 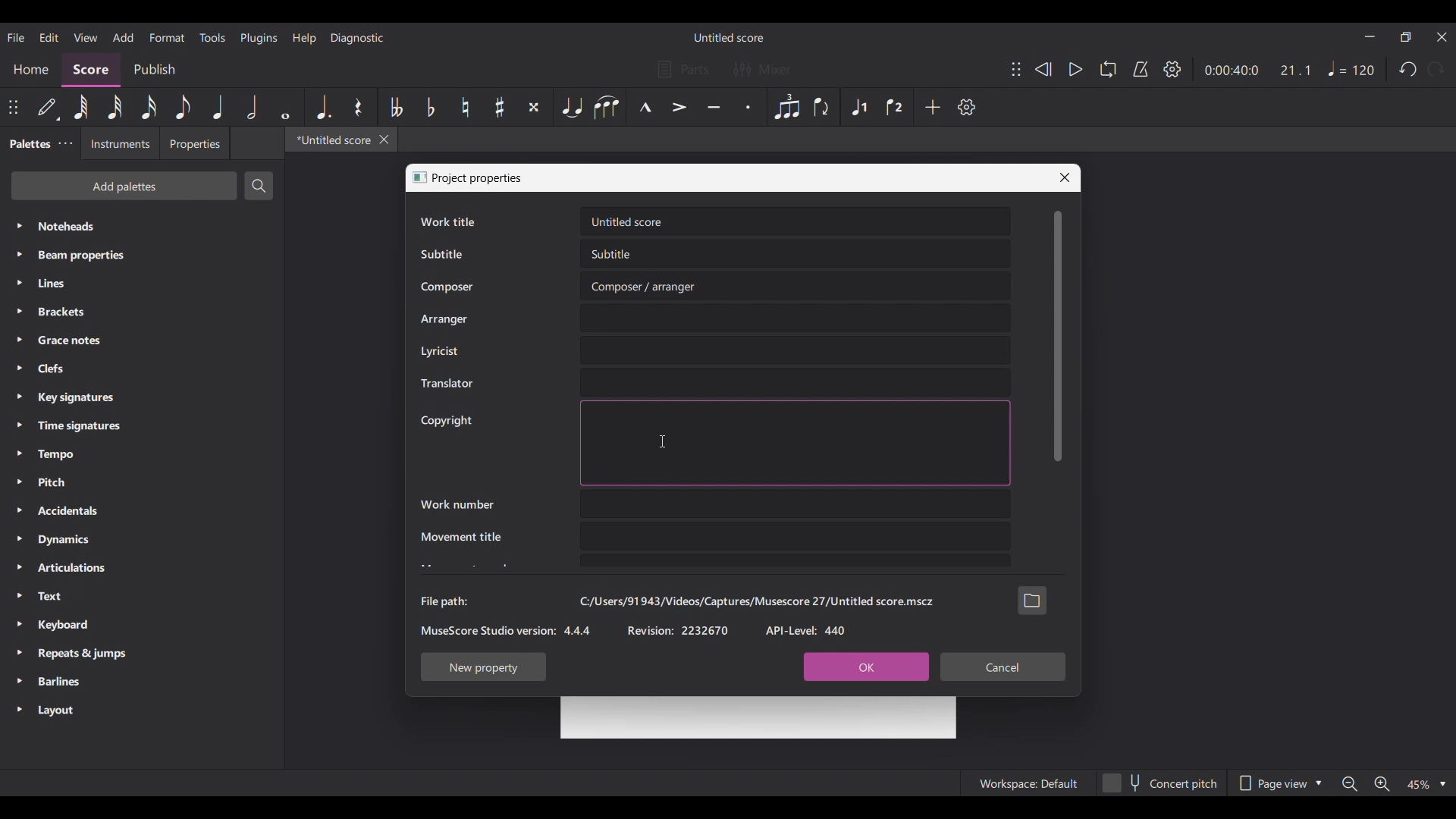 What do you see at coordinates (218, 107) in the screenshot?
I see `Quarter note` at bounding box center [218, 107].